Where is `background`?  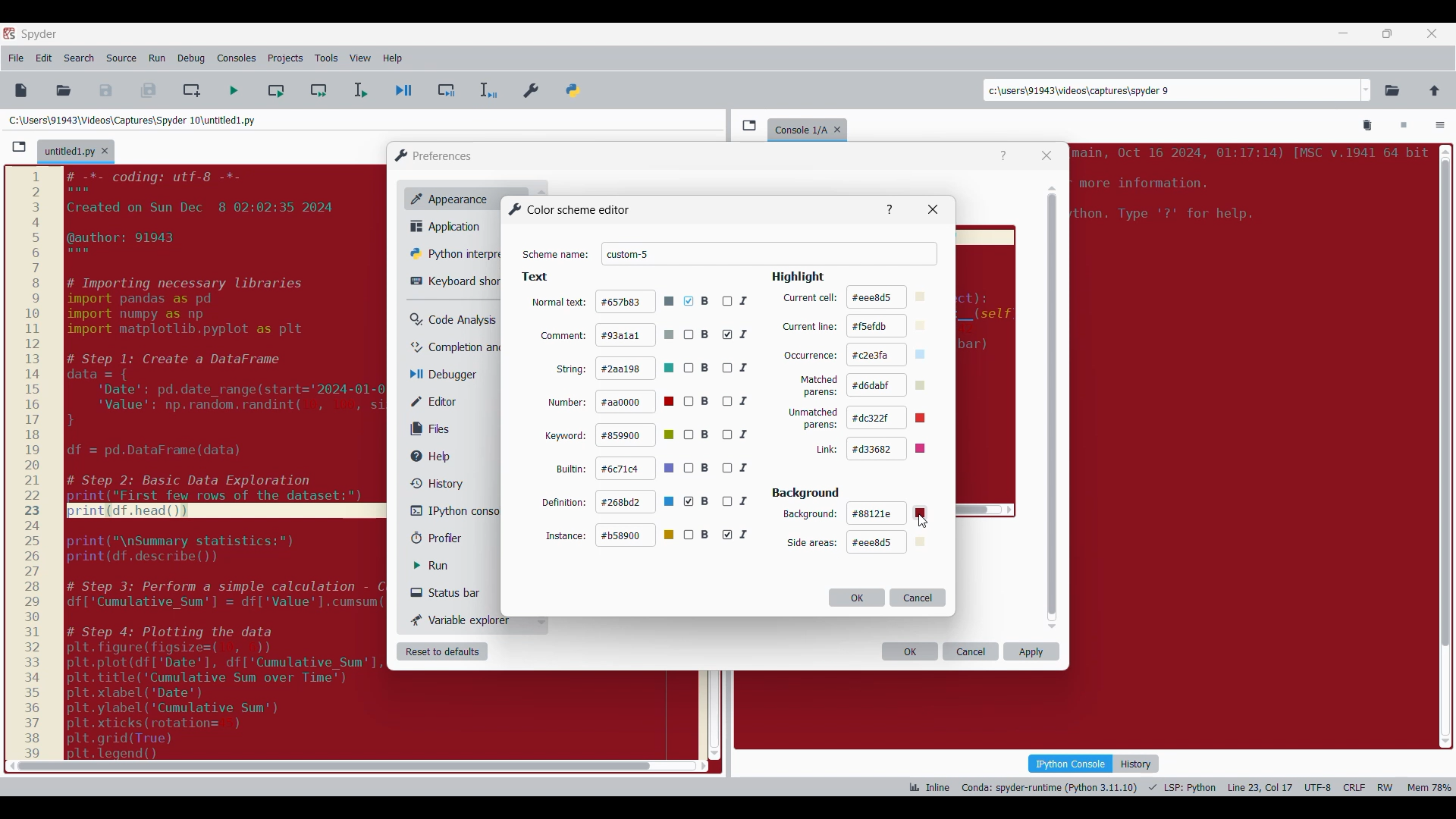 background is located at coordinates (810, 514).